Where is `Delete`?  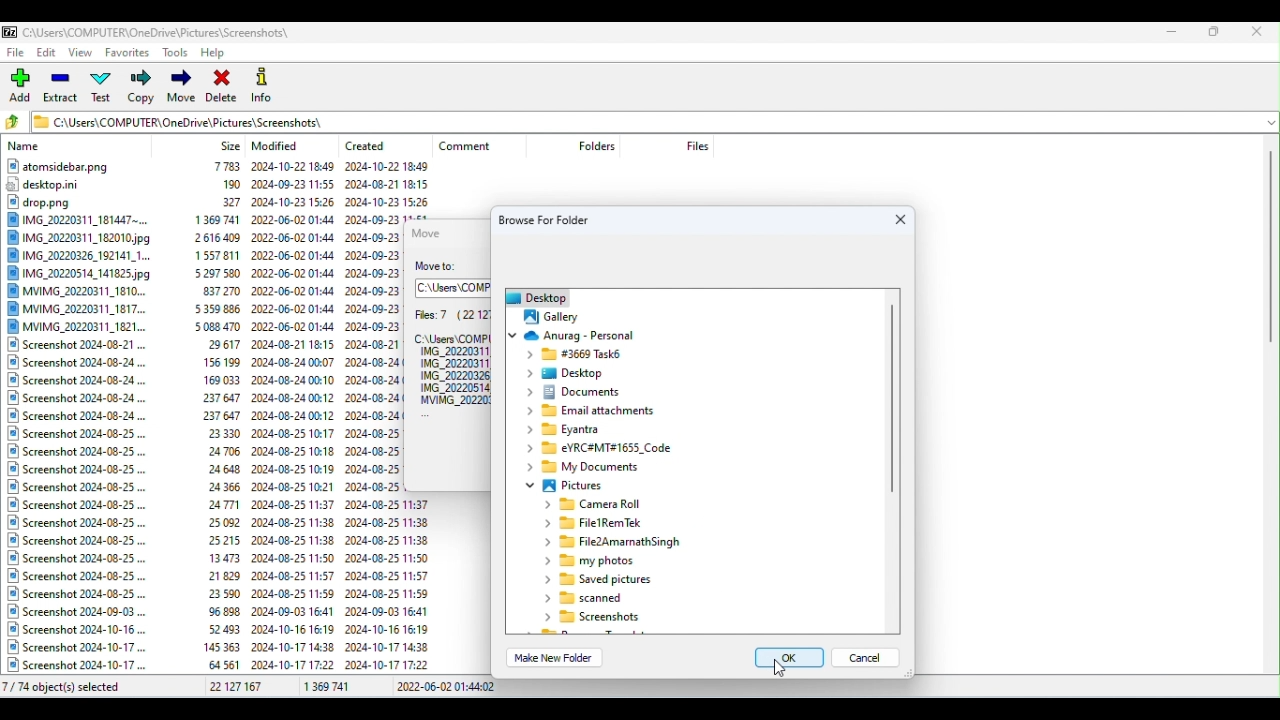 Delete is located at coordinates (223, 85).